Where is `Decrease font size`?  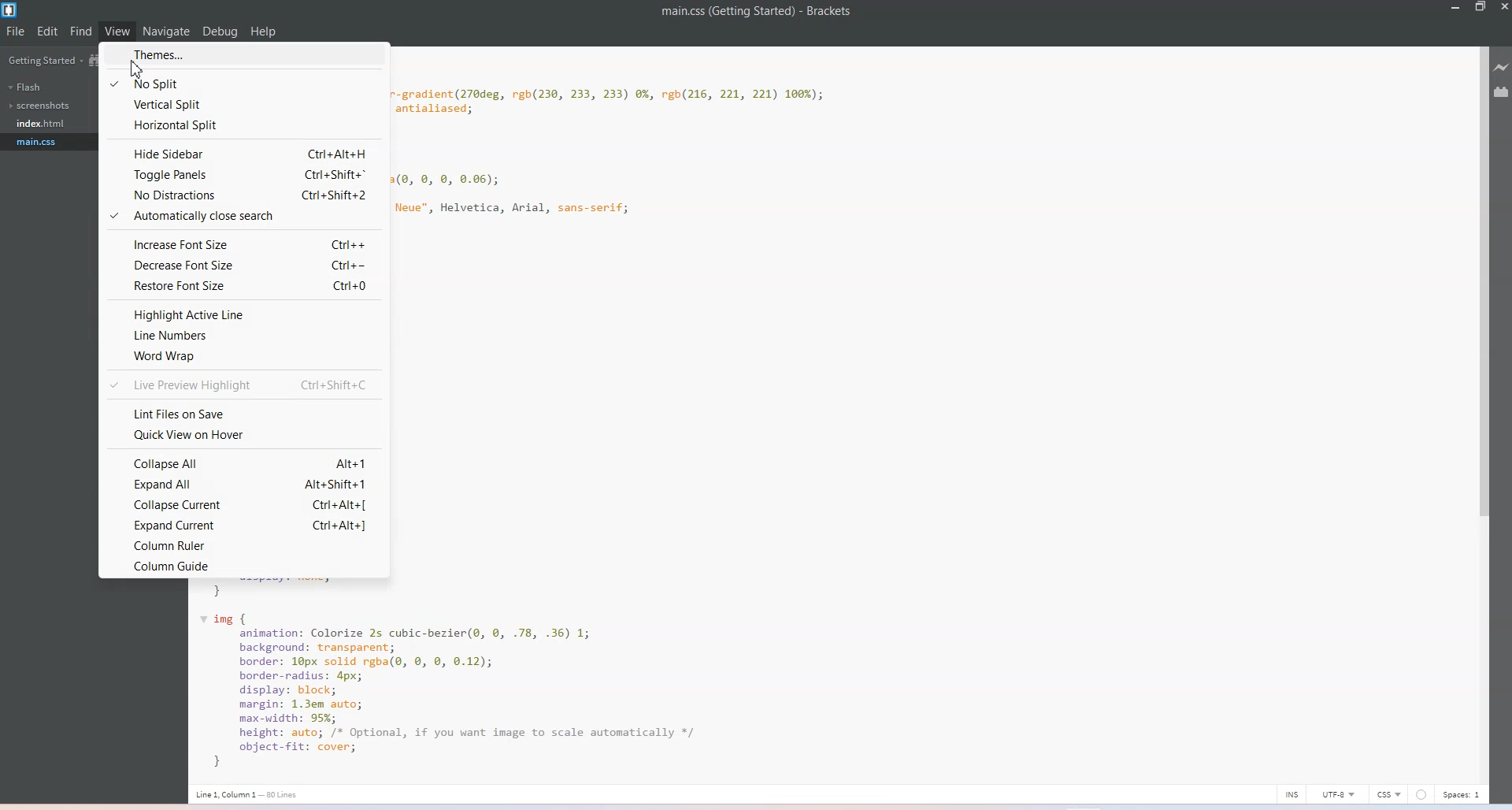 Decrease font size is located at coordinates (245, 265).